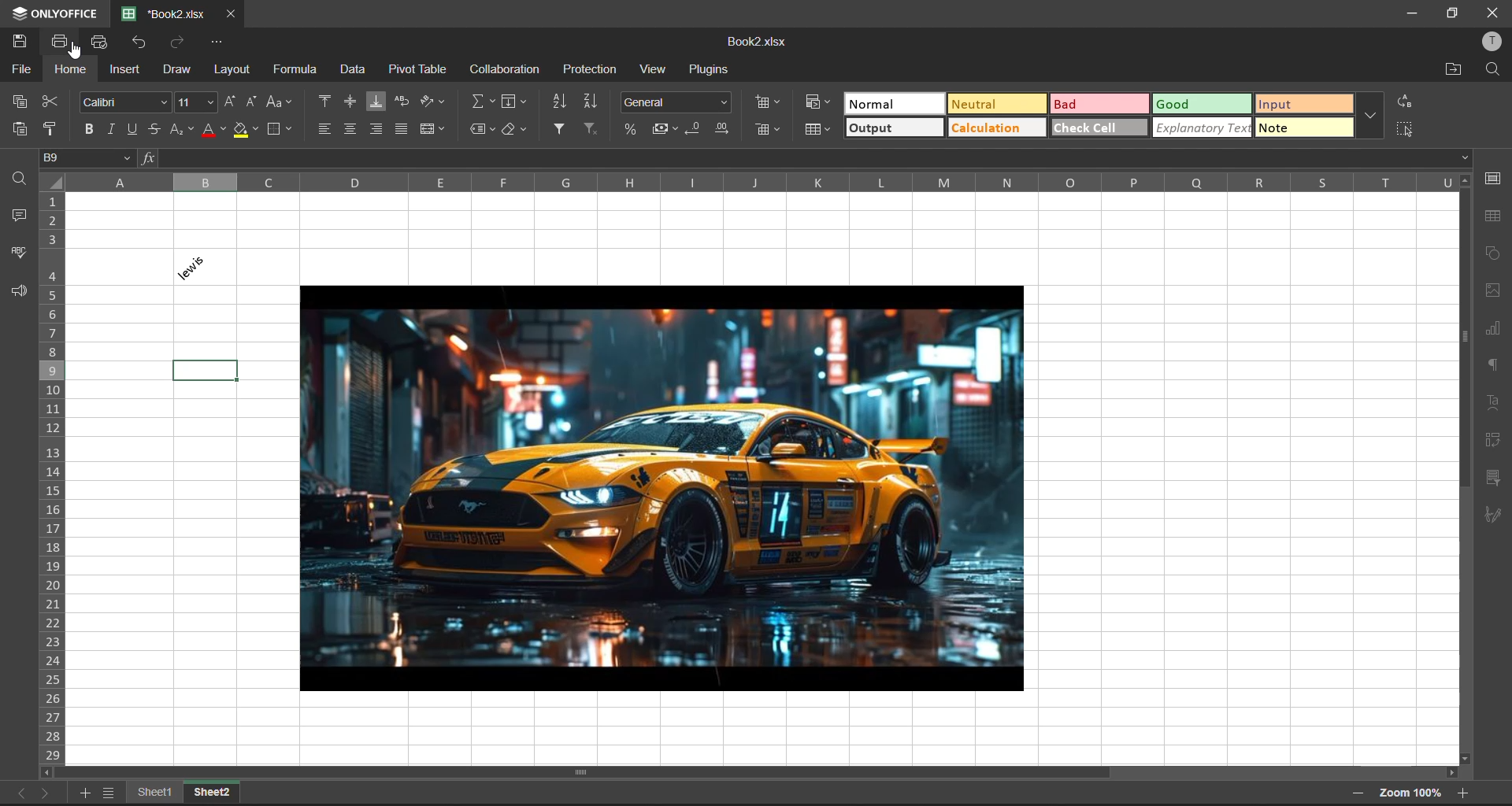 This screenshot has height=806, width=1512. Describe the element at coordinates (1493, 12) in the screenshot. I see `close` at that location.